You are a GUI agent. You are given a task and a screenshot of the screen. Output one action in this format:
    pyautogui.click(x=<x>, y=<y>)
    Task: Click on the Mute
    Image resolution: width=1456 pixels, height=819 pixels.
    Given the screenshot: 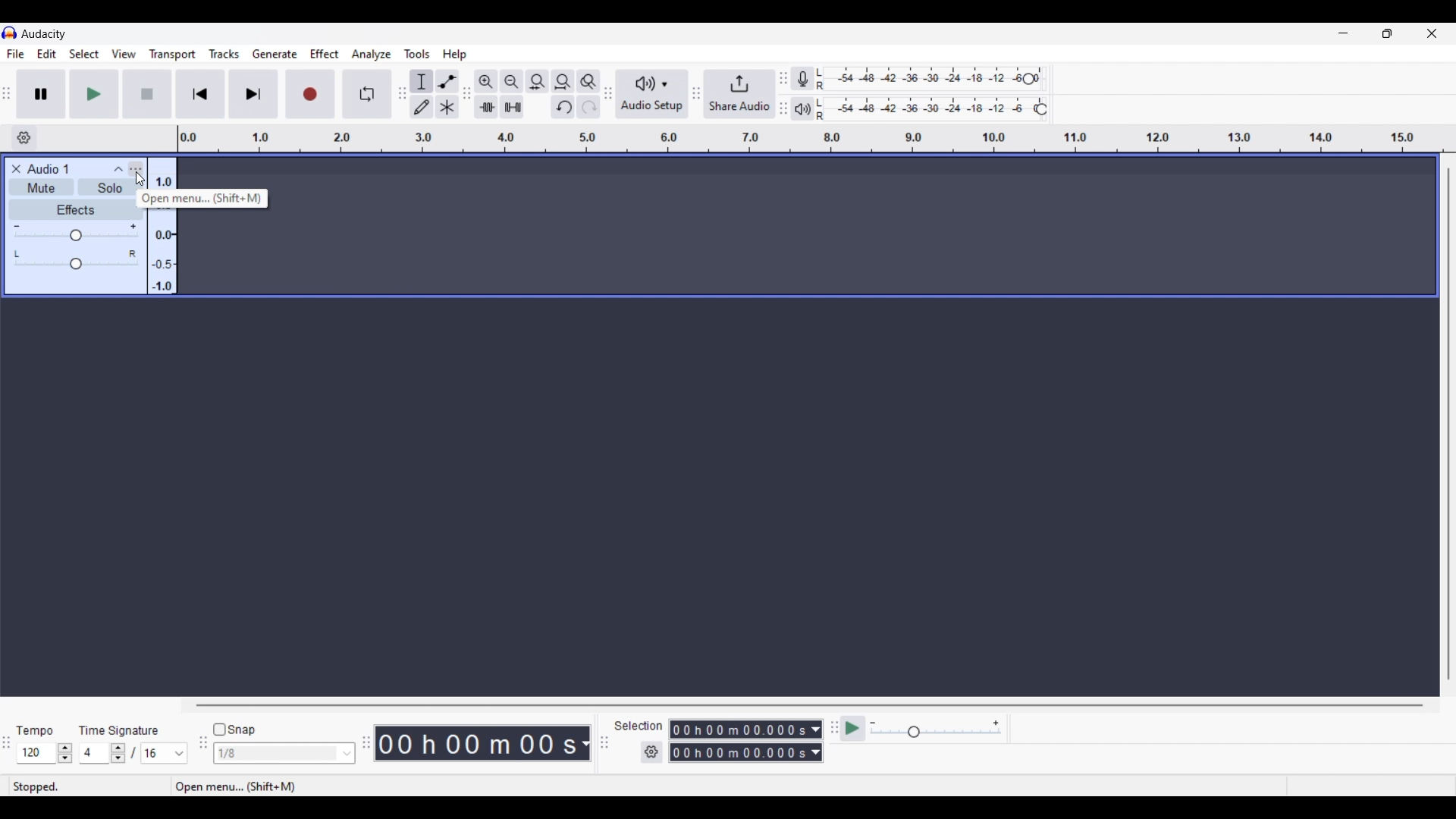 What is the action you would take?
    pyautogui.click(x=42, y=187)
    